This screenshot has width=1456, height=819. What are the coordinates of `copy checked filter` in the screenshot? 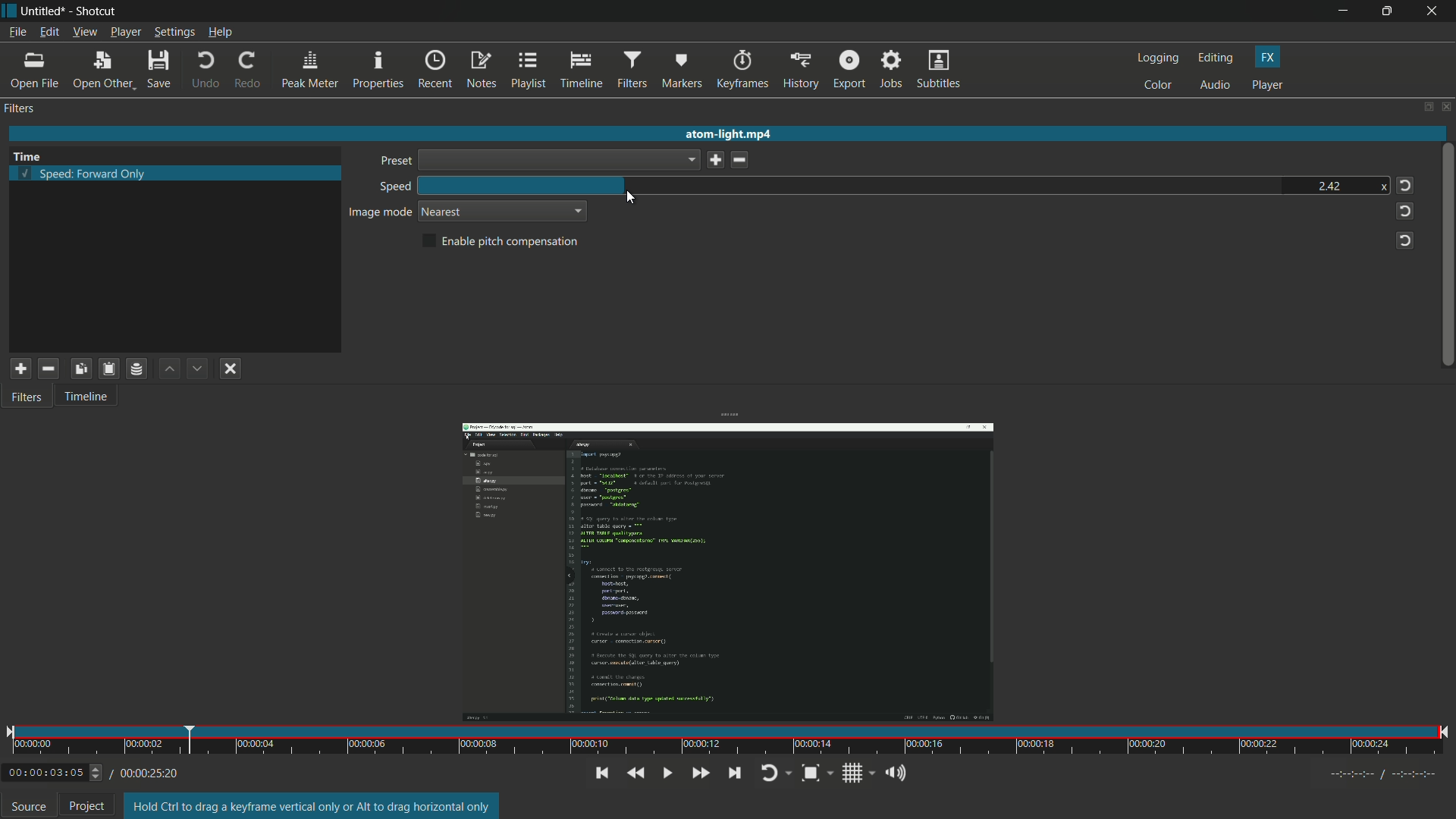 It's located at (80, 369).